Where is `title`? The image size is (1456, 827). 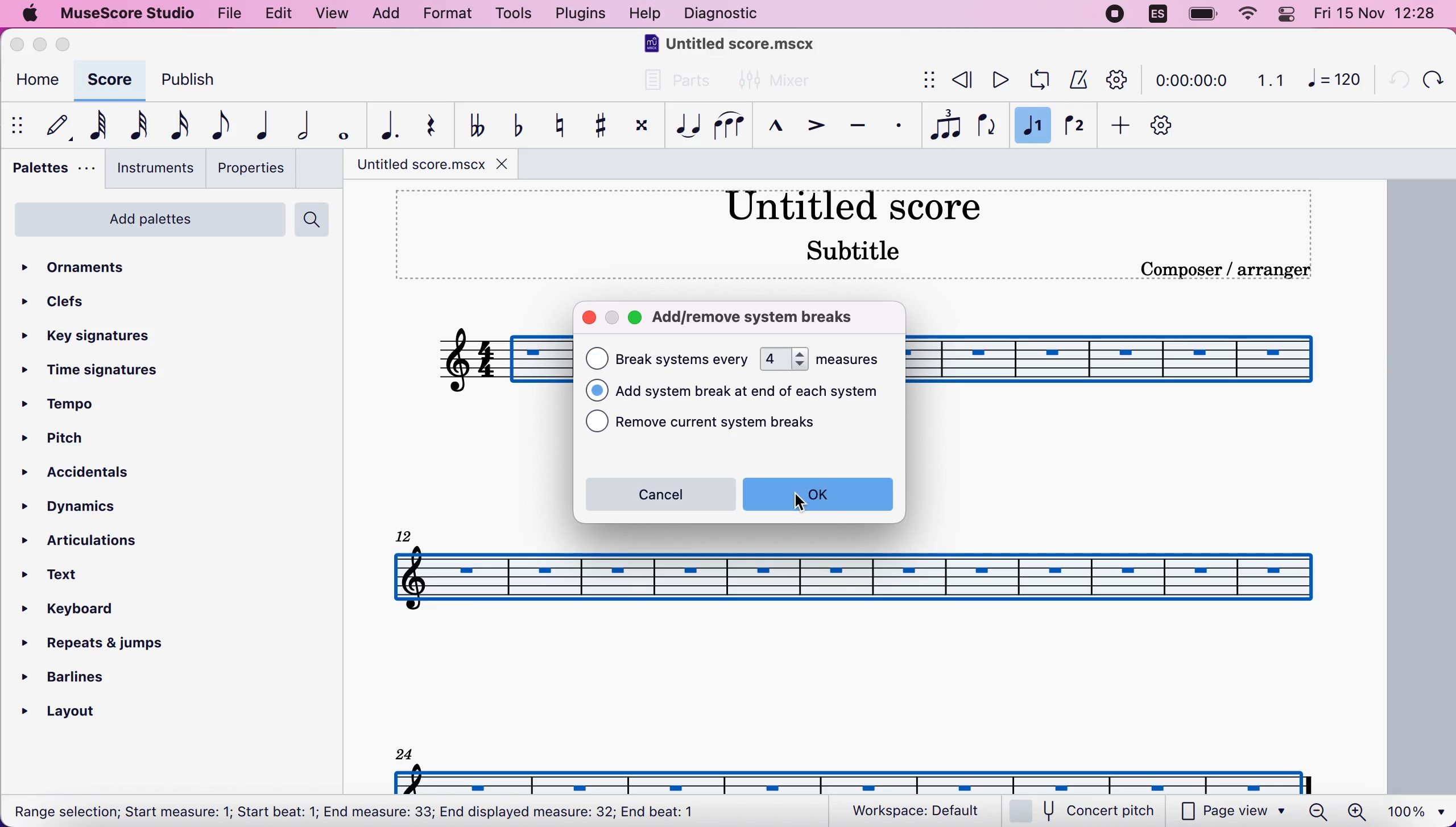
title is located at coordinates (734, 46).